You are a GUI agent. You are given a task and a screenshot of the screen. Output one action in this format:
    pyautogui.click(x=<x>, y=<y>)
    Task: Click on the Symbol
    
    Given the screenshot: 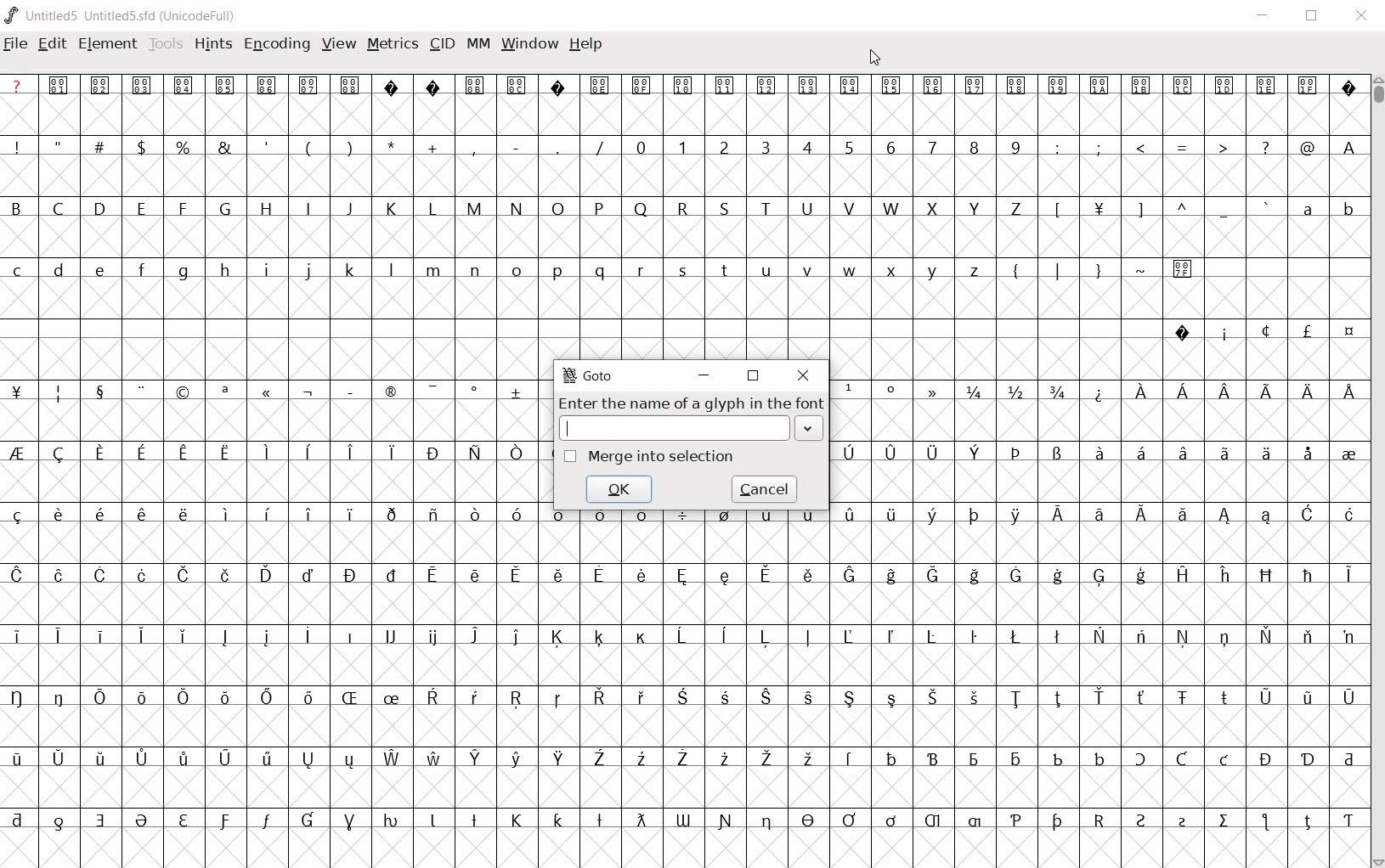 What is the action you would take?
    pyautogui.click(x=349, y=822)
    